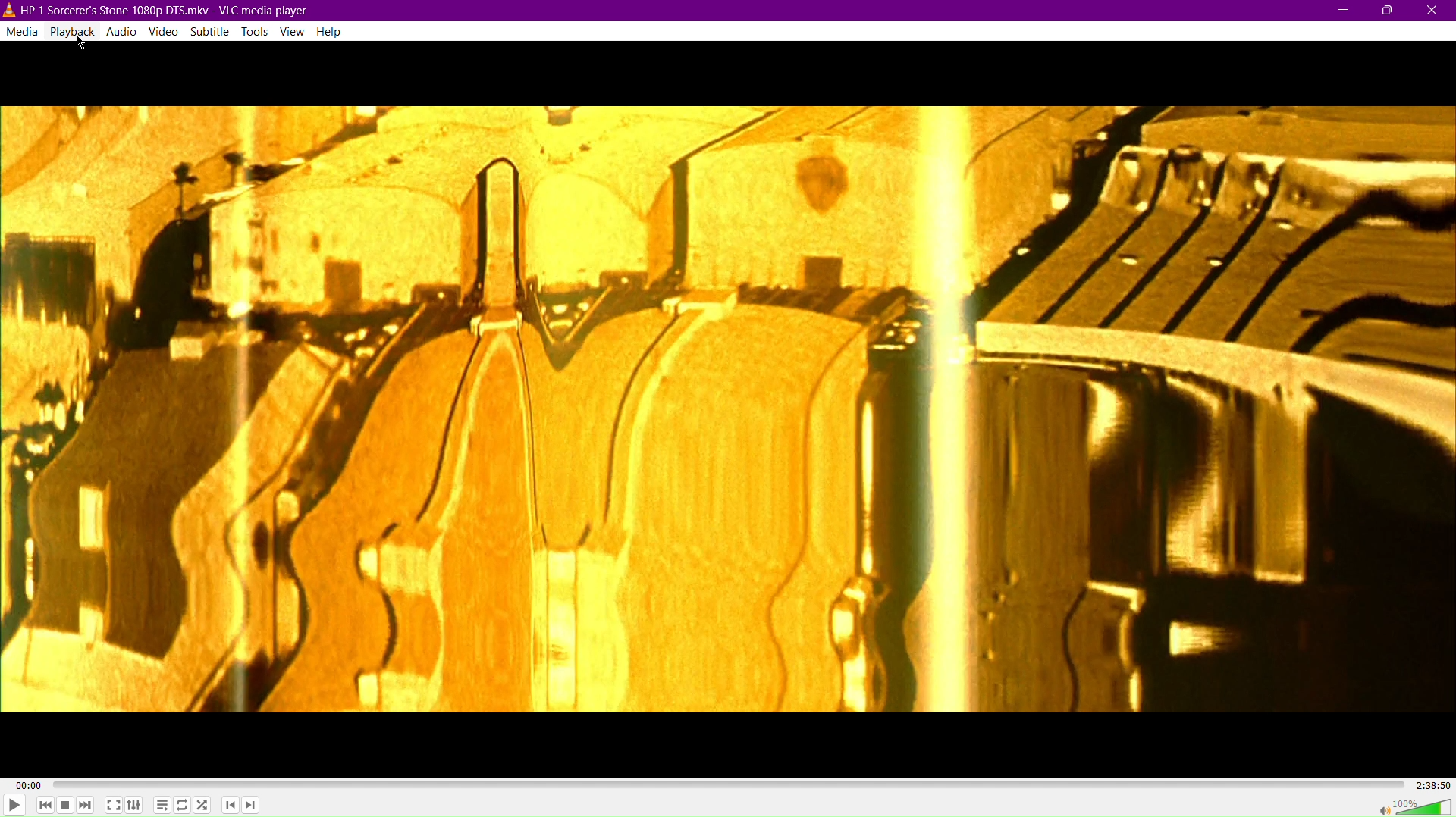 Image resolution: width=1456 pixels, height=817 pixels. Describe the element at coordinates (725, 783) in the screenshot. I see `Timeline` at that location.